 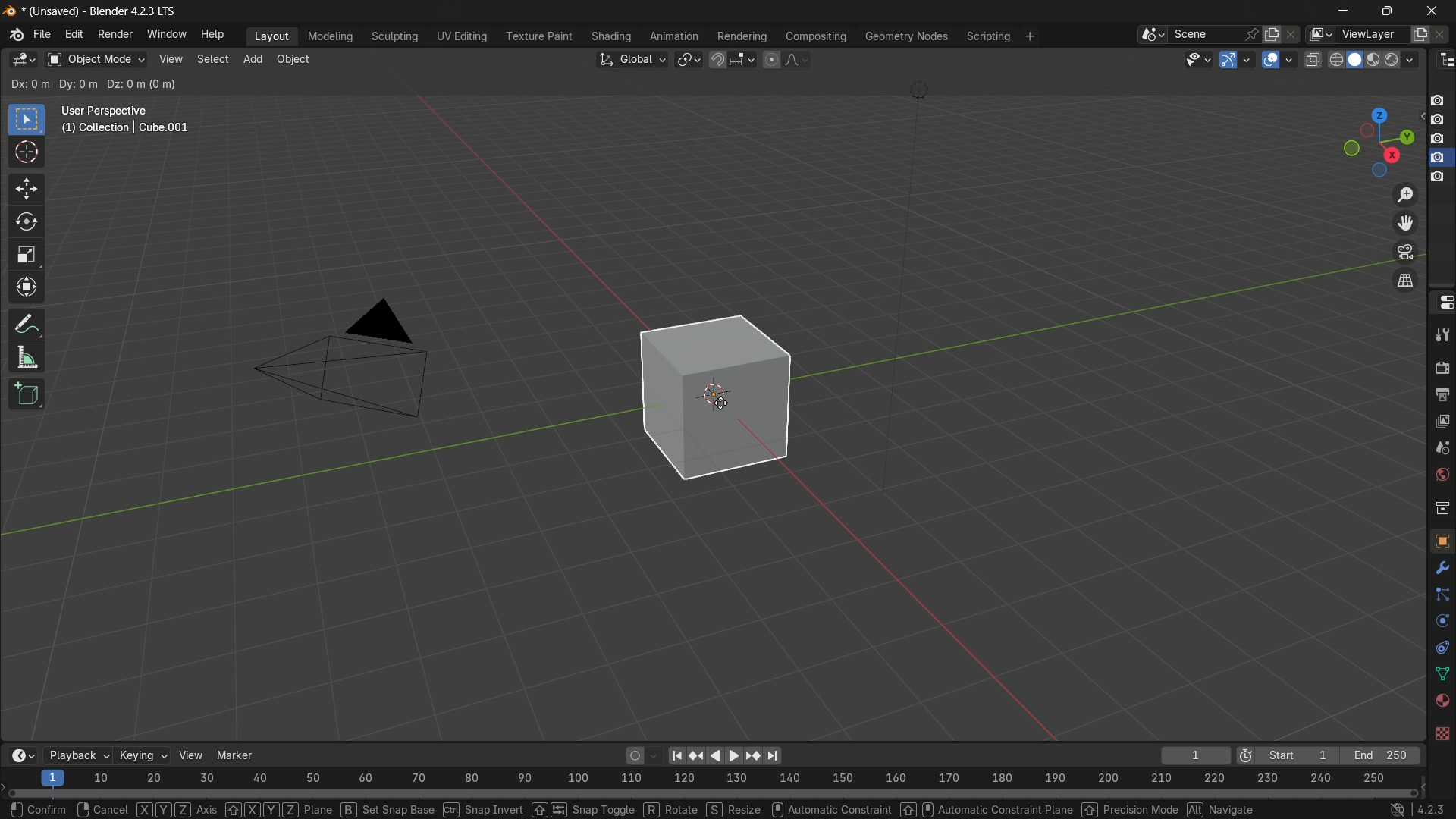 I want to click on object mode, so click(x=96, y=59).